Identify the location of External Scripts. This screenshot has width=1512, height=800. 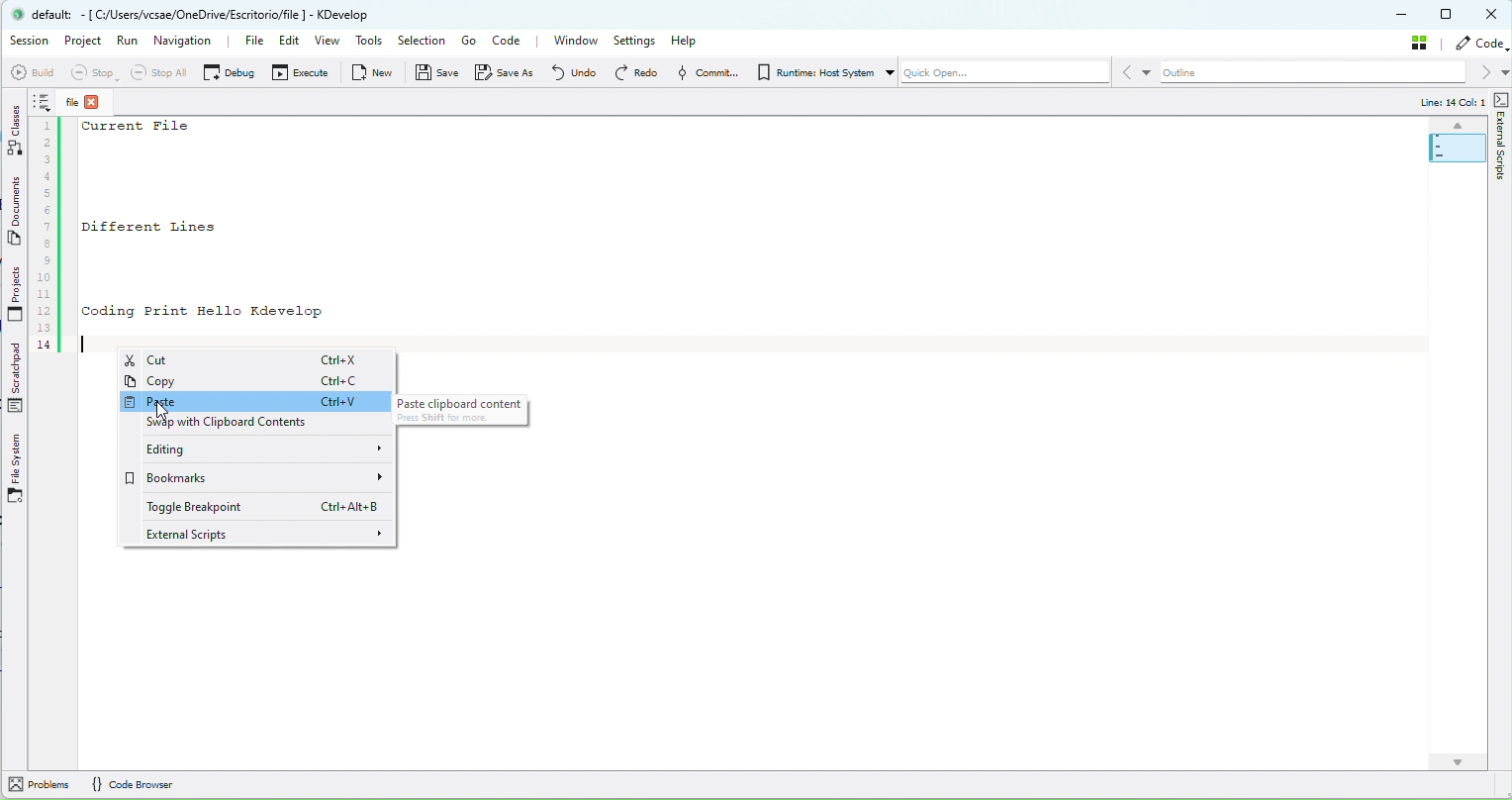
(261, 534).